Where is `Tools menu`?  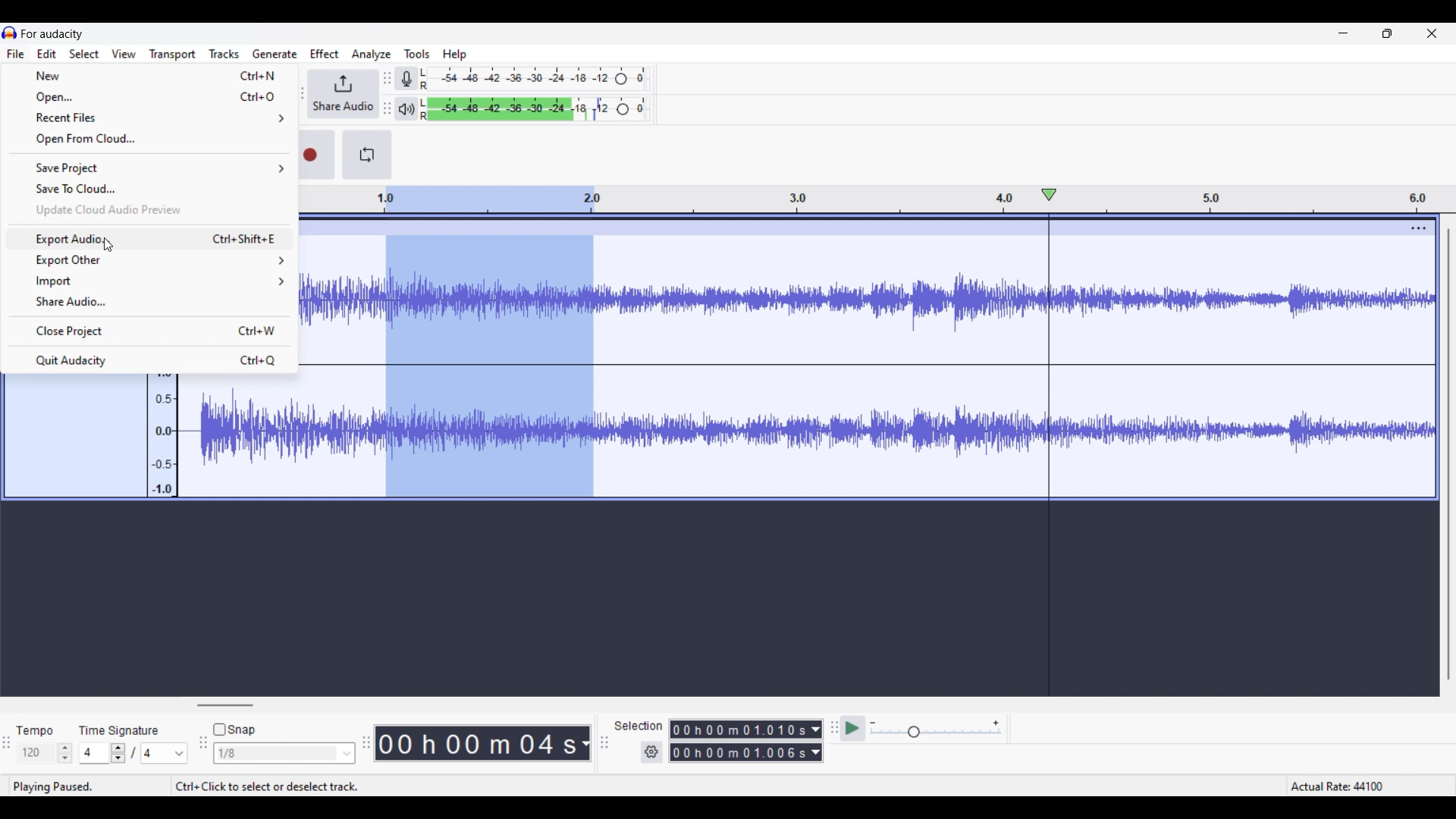 Tools menu is located at coordinates (417, 54).